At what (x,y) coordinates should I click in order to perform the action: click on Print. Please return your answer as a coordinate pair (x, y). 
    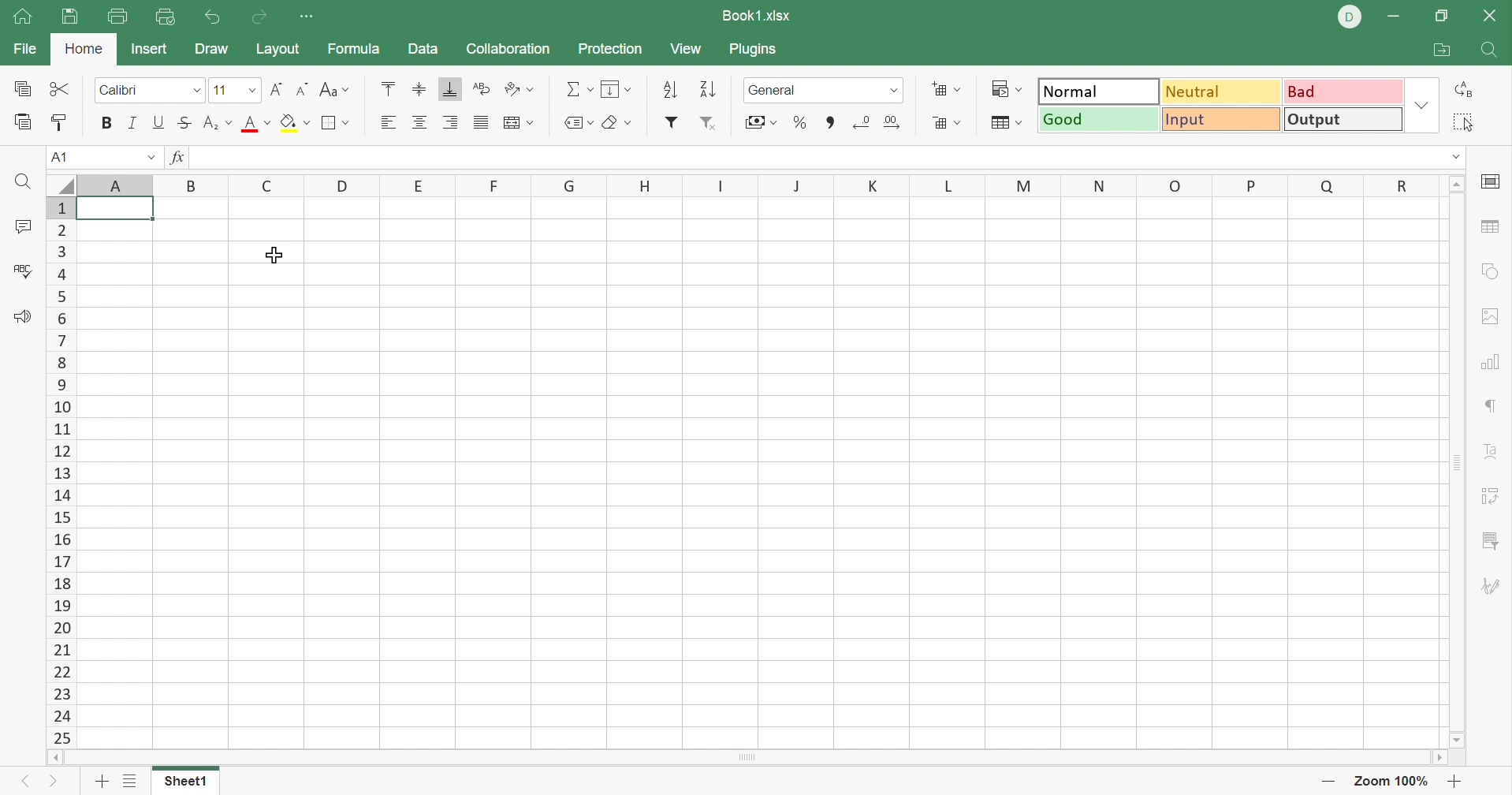
    Looking at the image, I should click on (69, 17).